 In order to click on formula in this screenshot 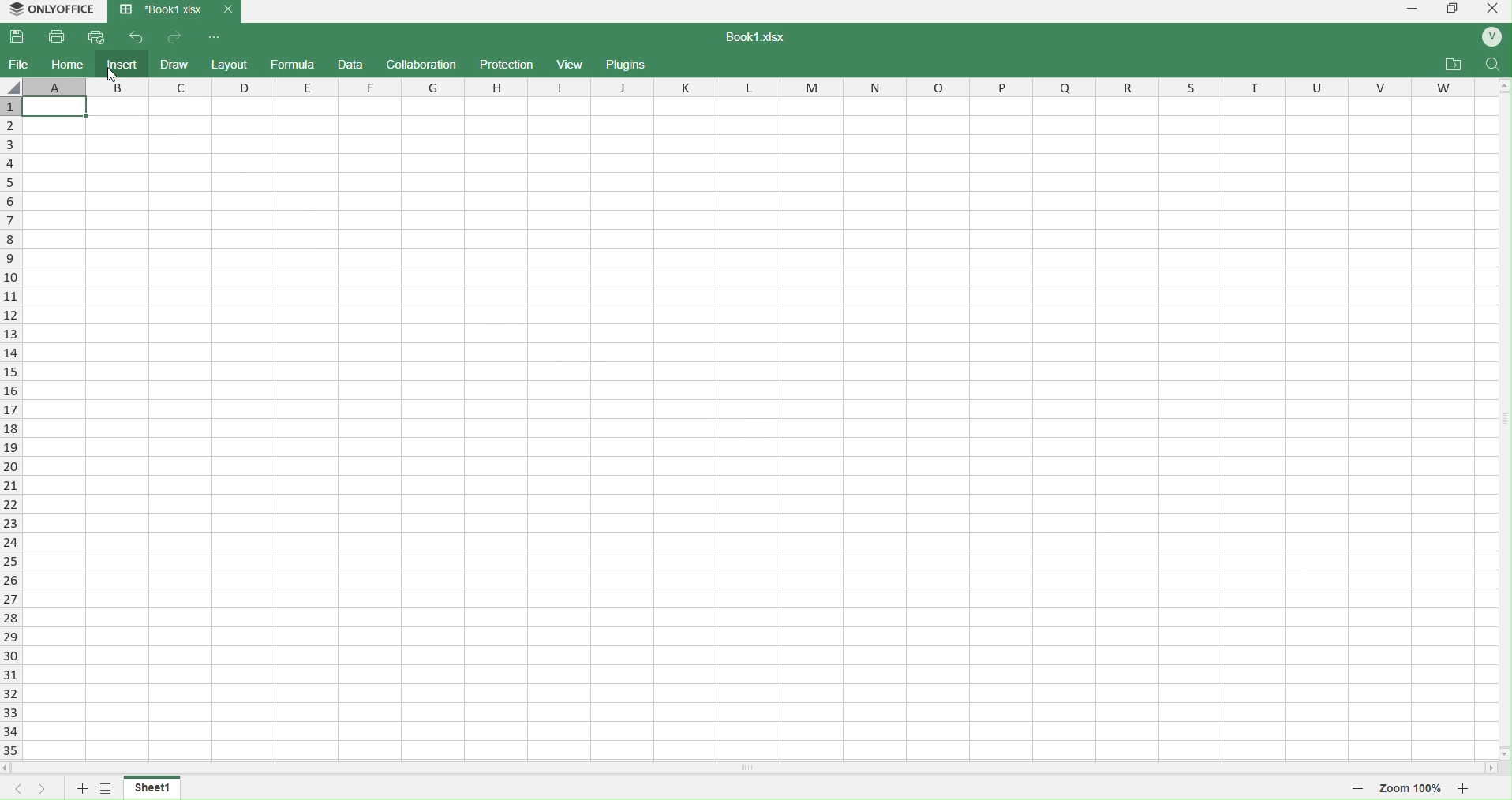, I will do `click(293, 65)`.